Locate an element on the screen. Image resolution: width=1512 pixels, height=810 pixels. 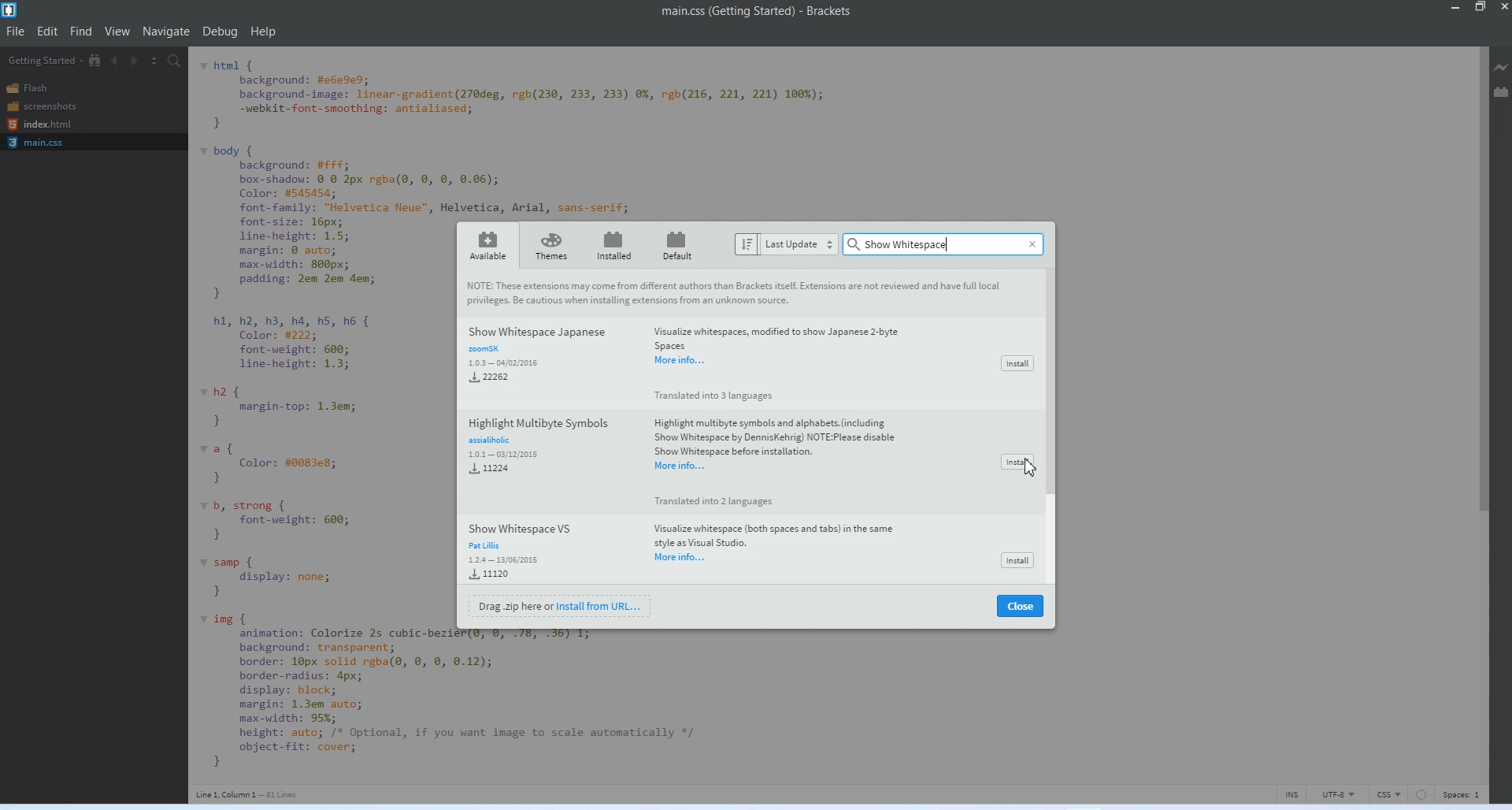
Code is located at coordinates (314, 421).